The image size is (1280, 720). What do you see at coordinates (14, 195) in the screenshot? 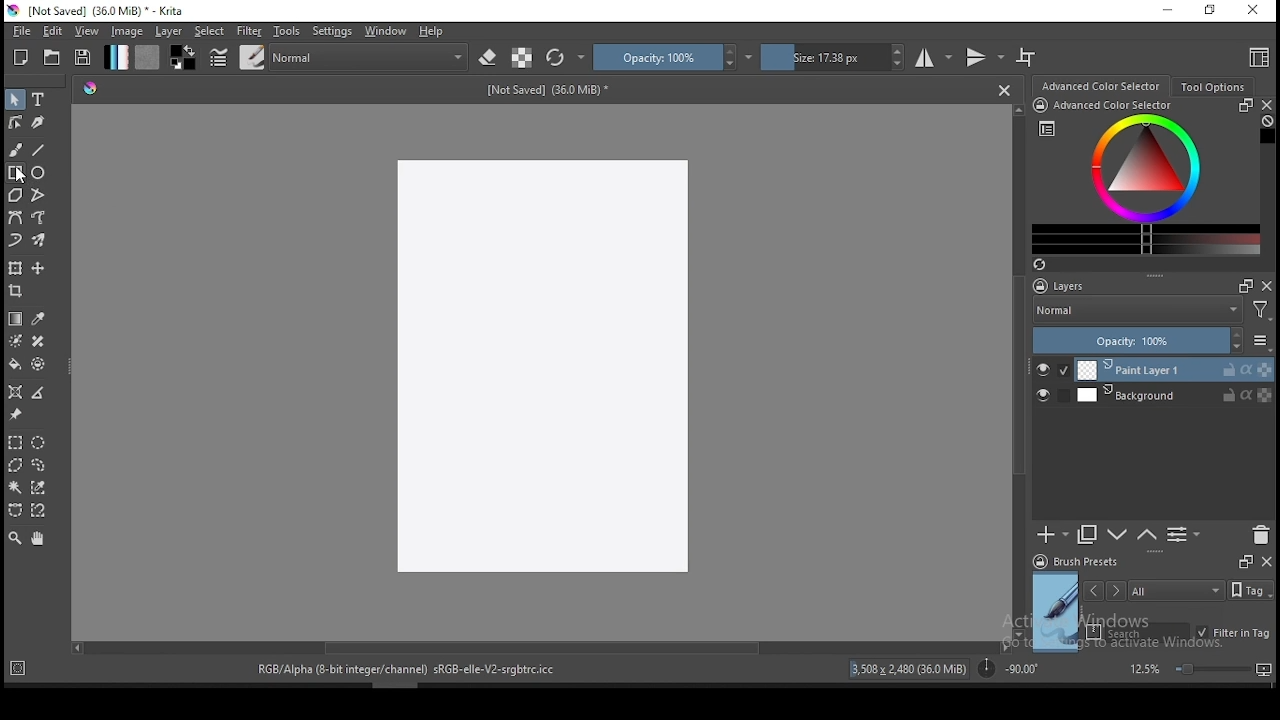
I see `polygon tool` at bounding box center [14, 195].